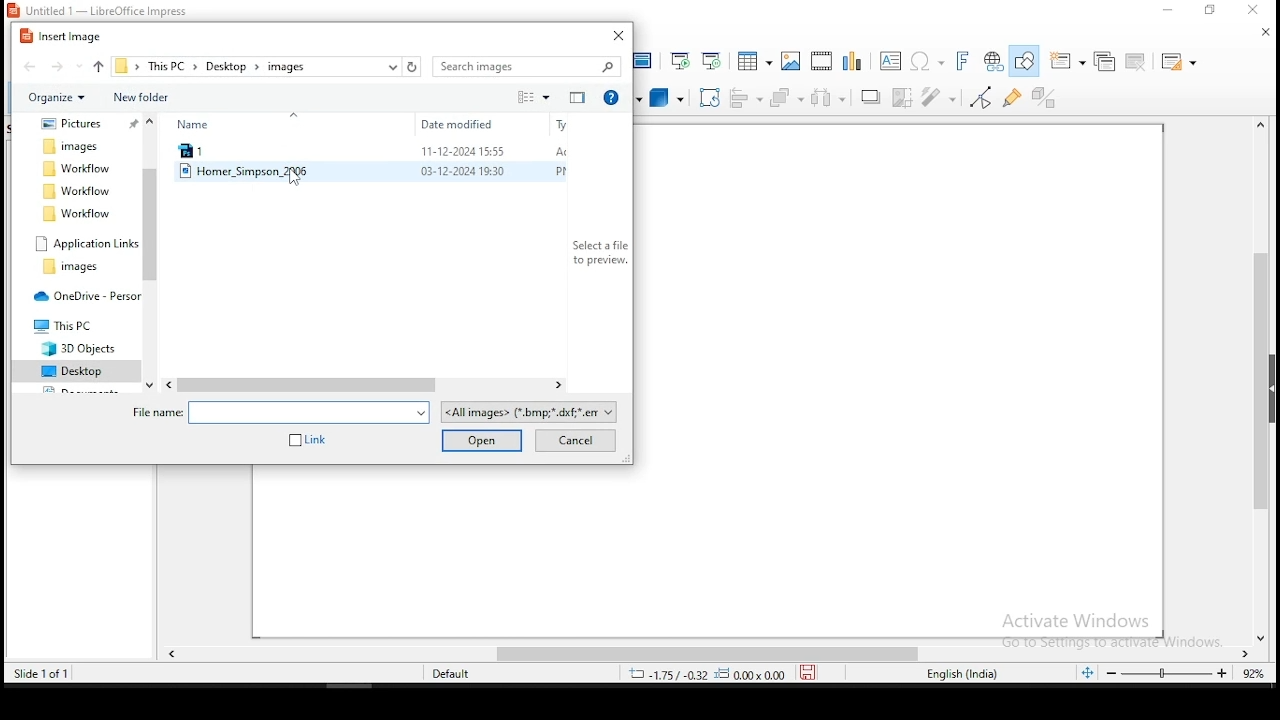 This screenshot has width=1280, height=720. I want to click on forward, so click(57, 68).